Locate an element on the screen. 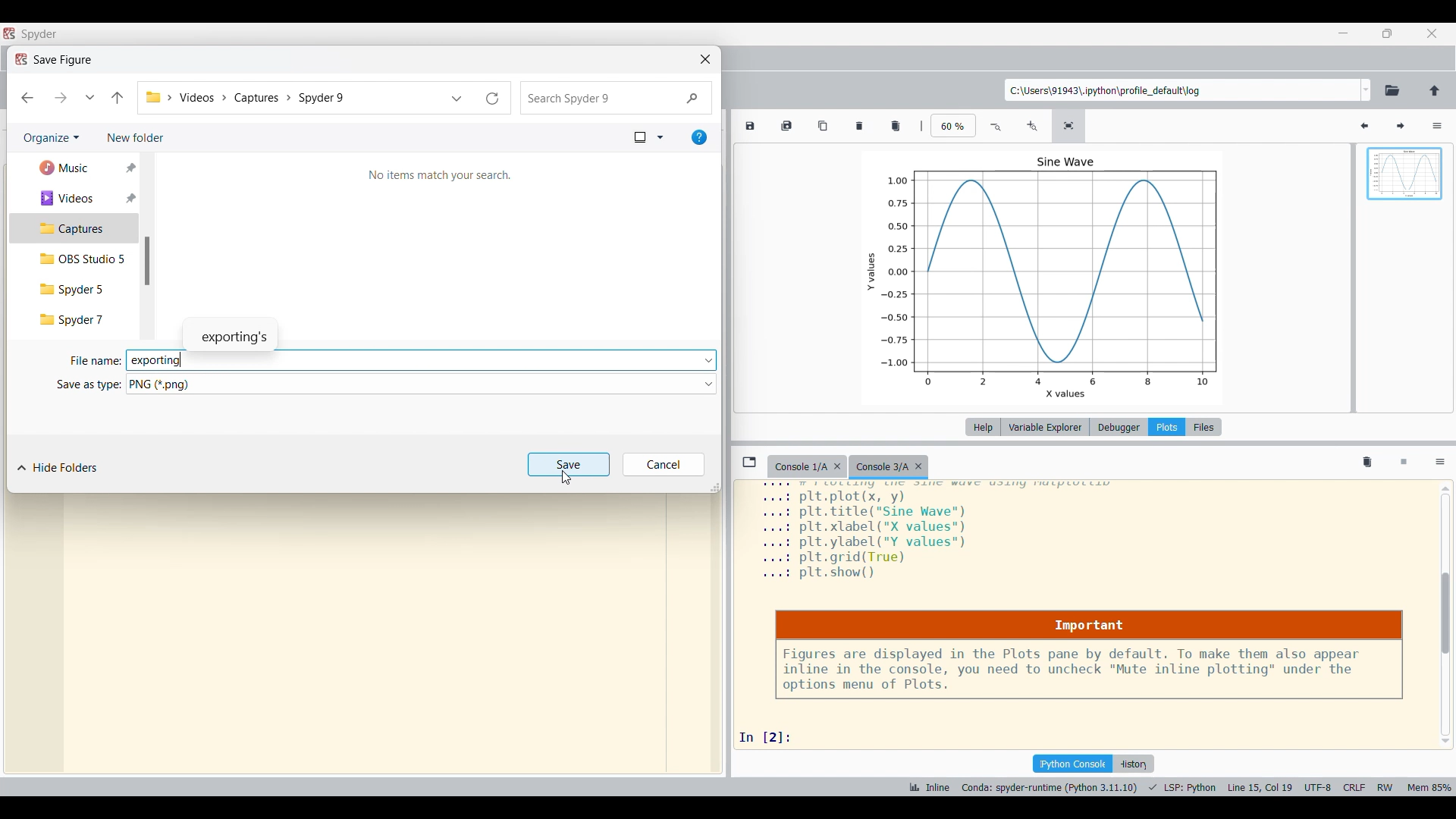 The image size is (1456, 819). Enter location is located at coordinates (1182, 90).